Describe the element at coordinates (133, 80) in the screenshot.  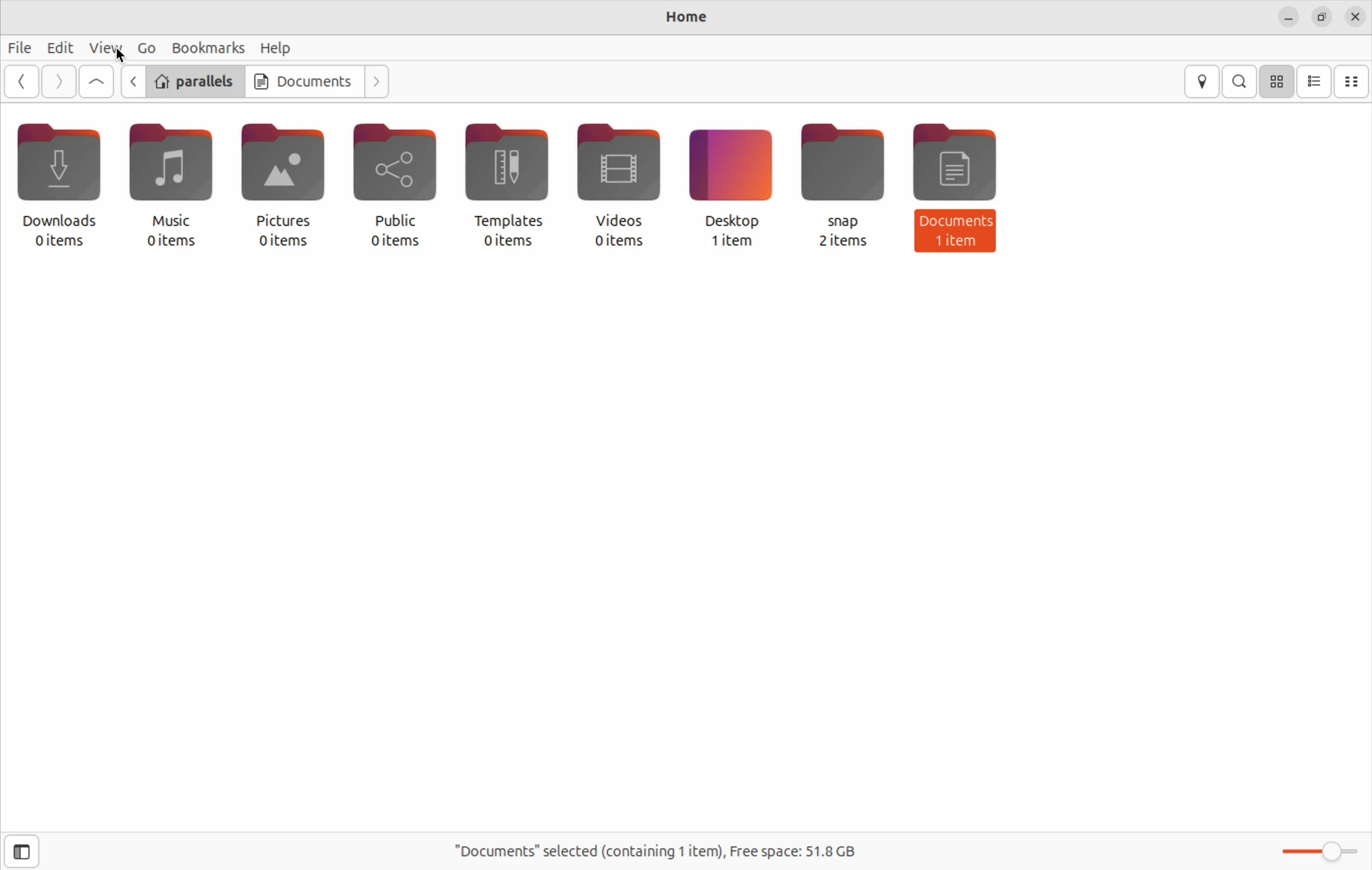
I see `go back` at that location.